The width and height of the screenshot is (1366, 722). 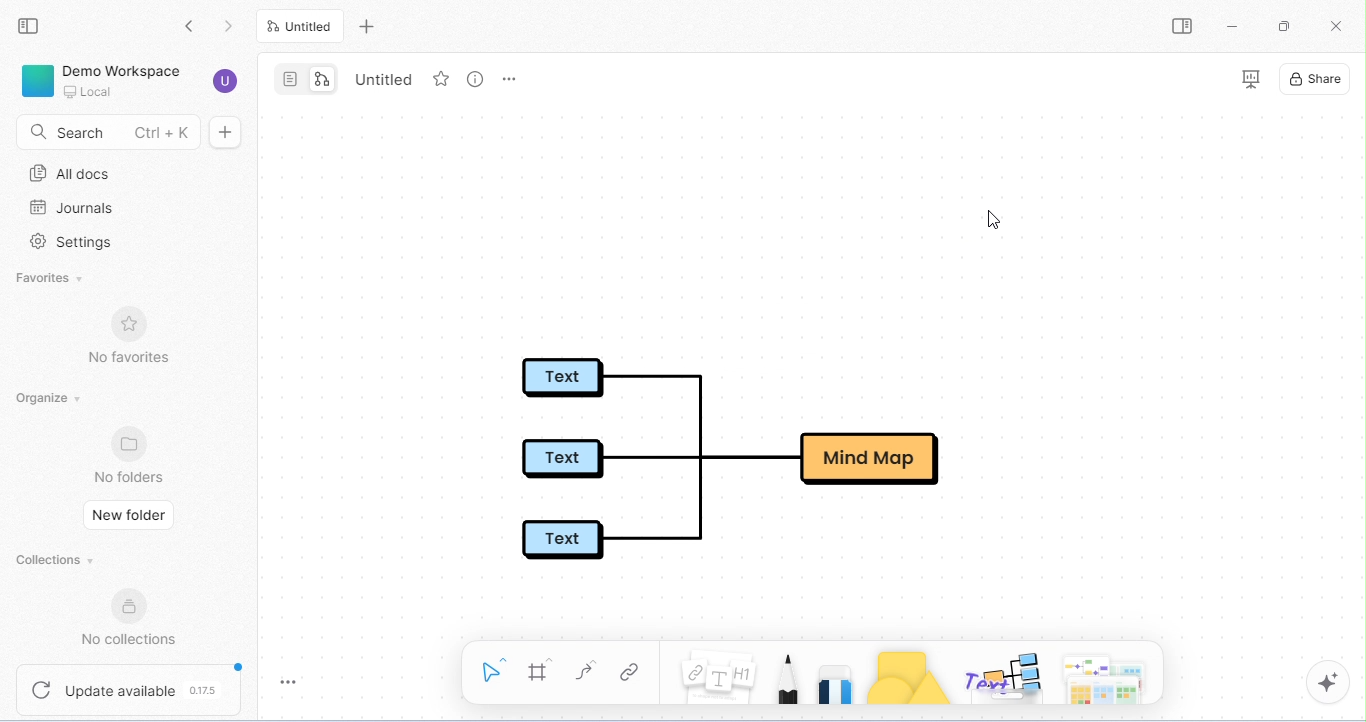 I want to click on go back, so click(x=192, y=27).